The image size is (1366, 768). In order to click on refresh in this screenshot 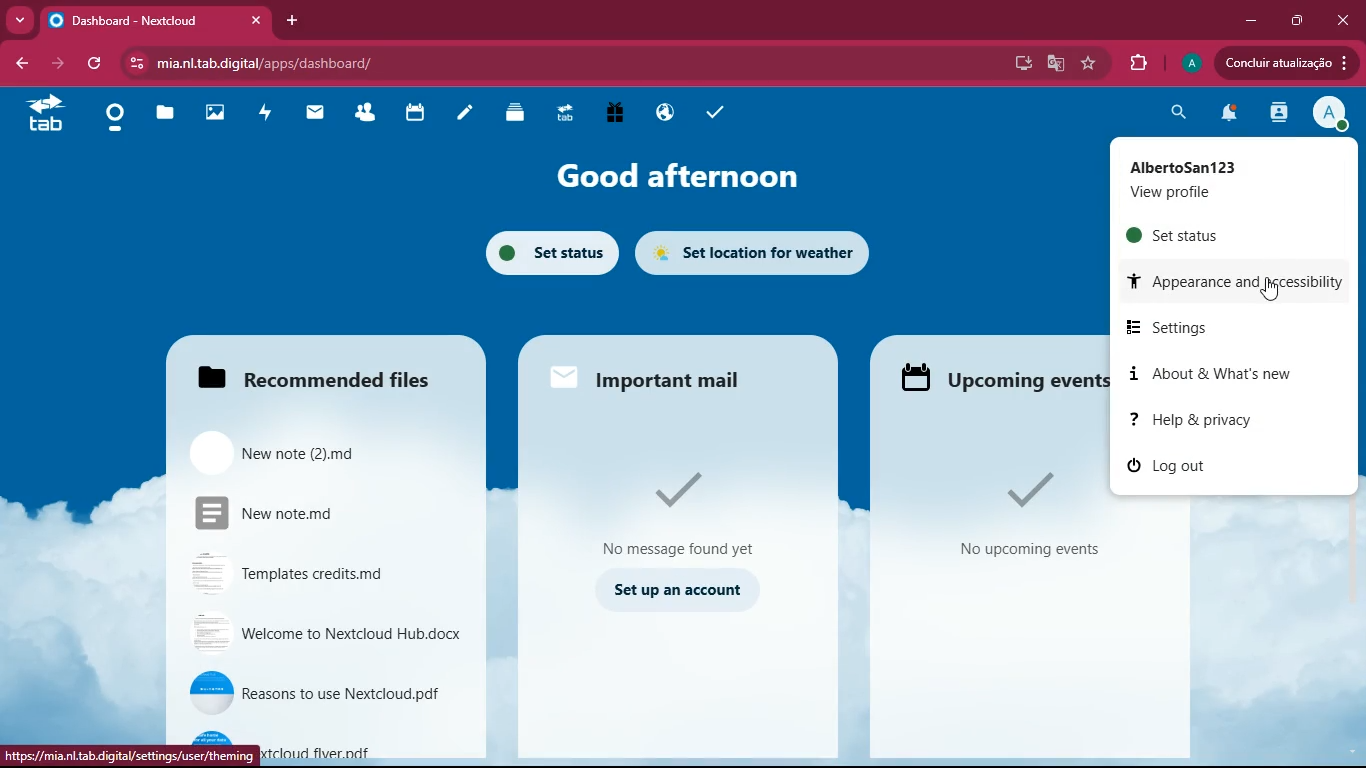, I will do `click(96, 66)`.